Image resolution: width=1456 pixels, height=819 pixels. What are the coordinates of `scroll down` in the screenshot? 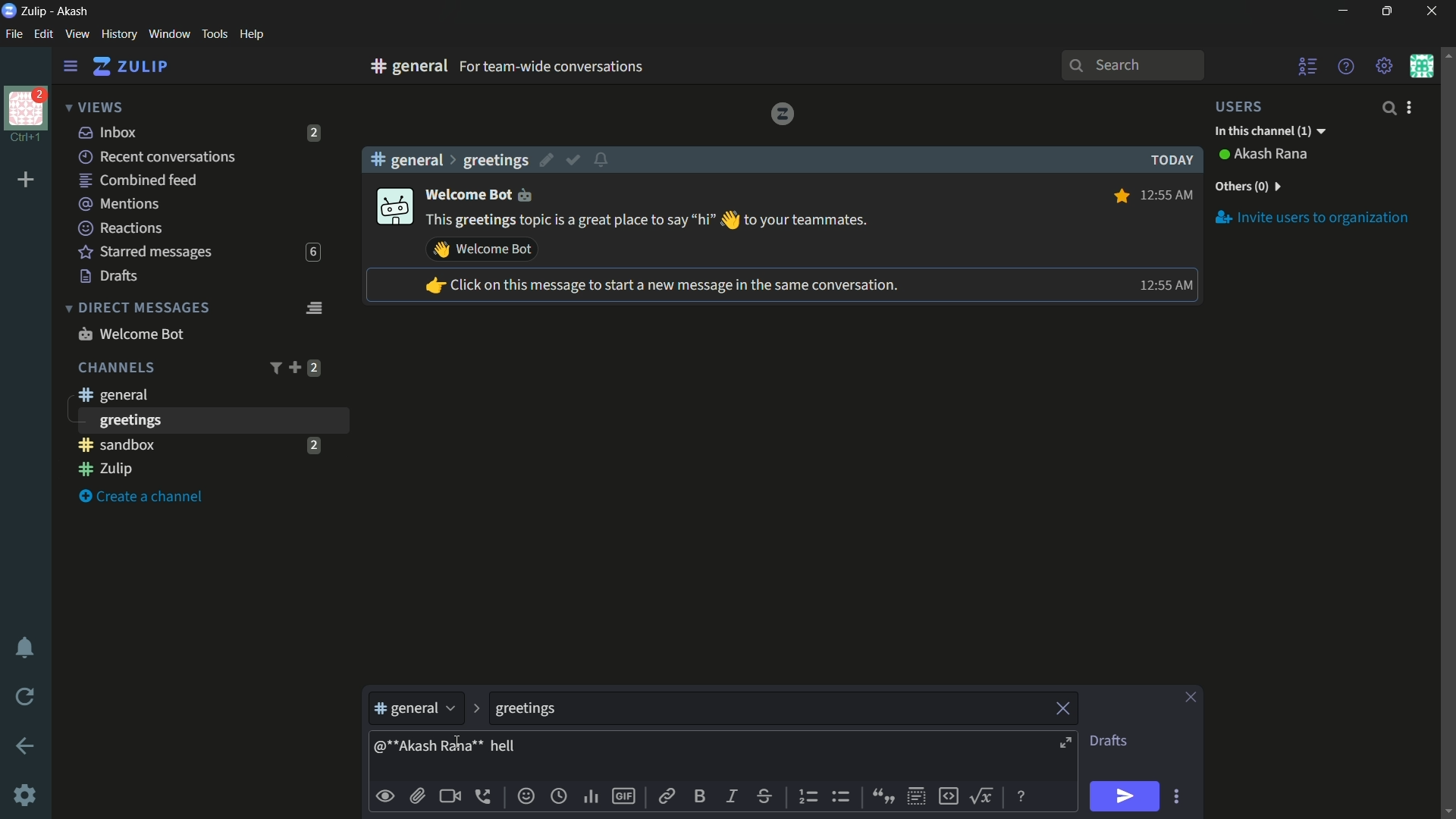 It's located at (1447, 811).